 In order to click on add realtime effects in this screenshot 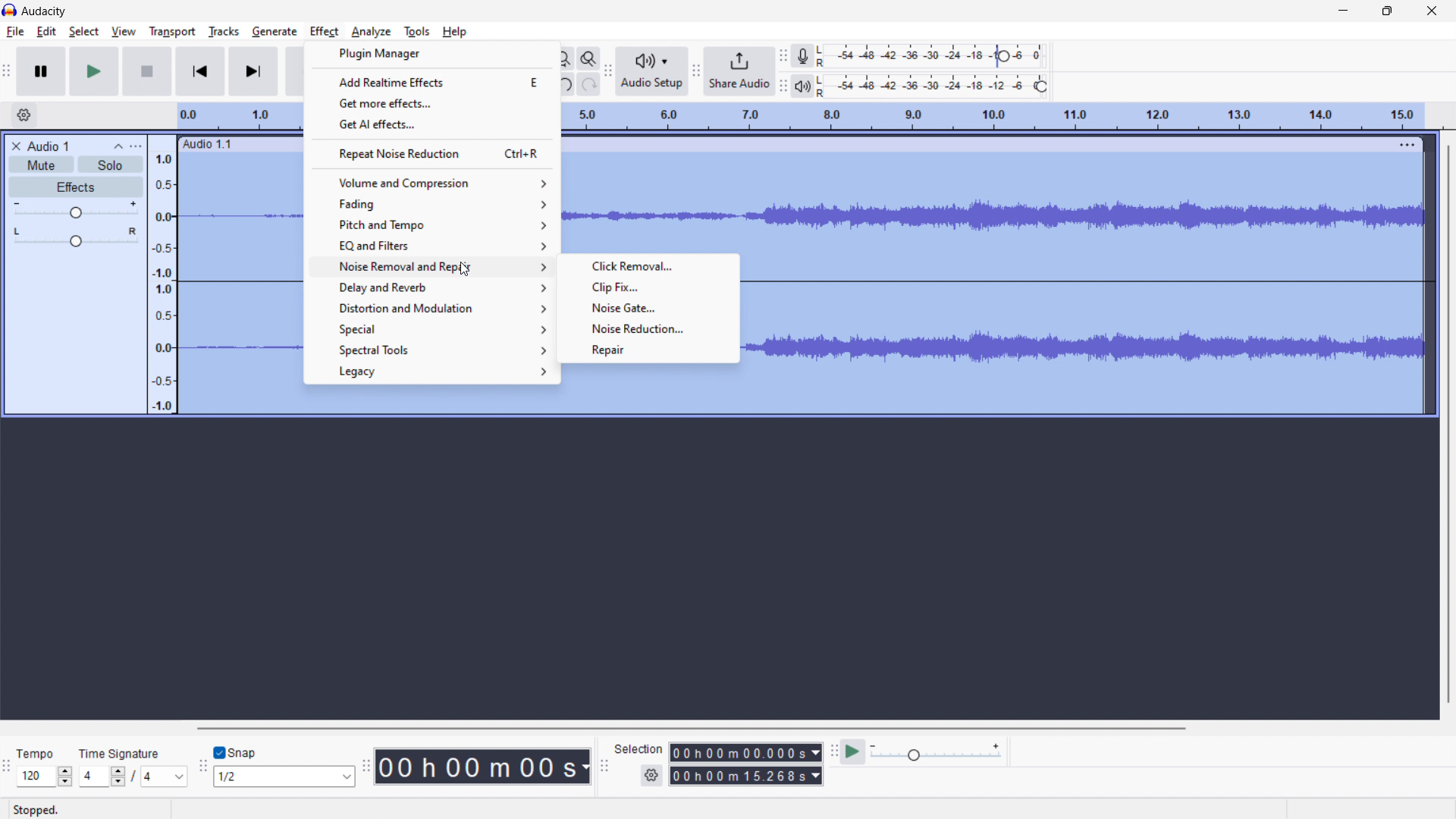, I will do `click(432, 81)`.